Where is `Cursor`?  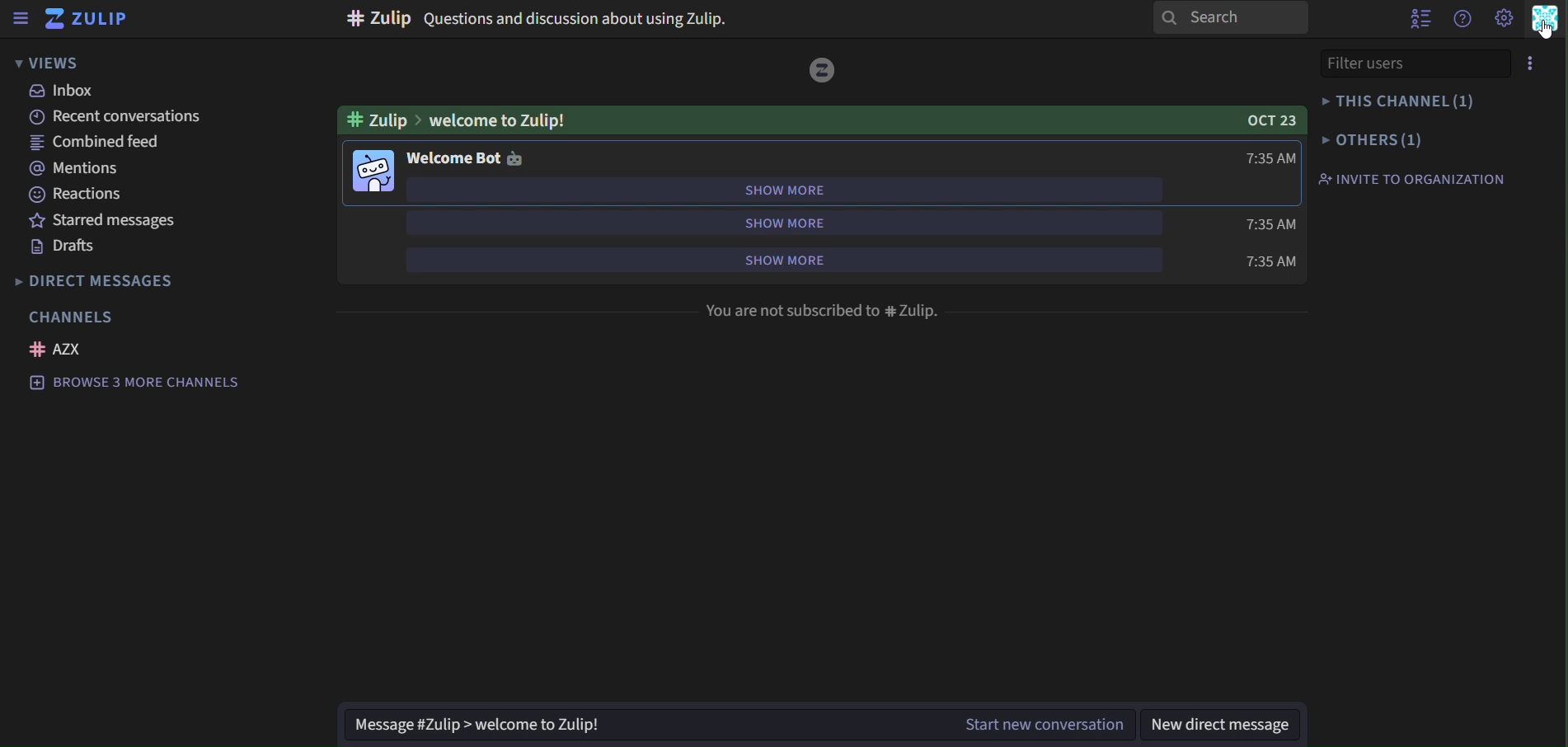
Cursor is located at coordinates (1545, 30).